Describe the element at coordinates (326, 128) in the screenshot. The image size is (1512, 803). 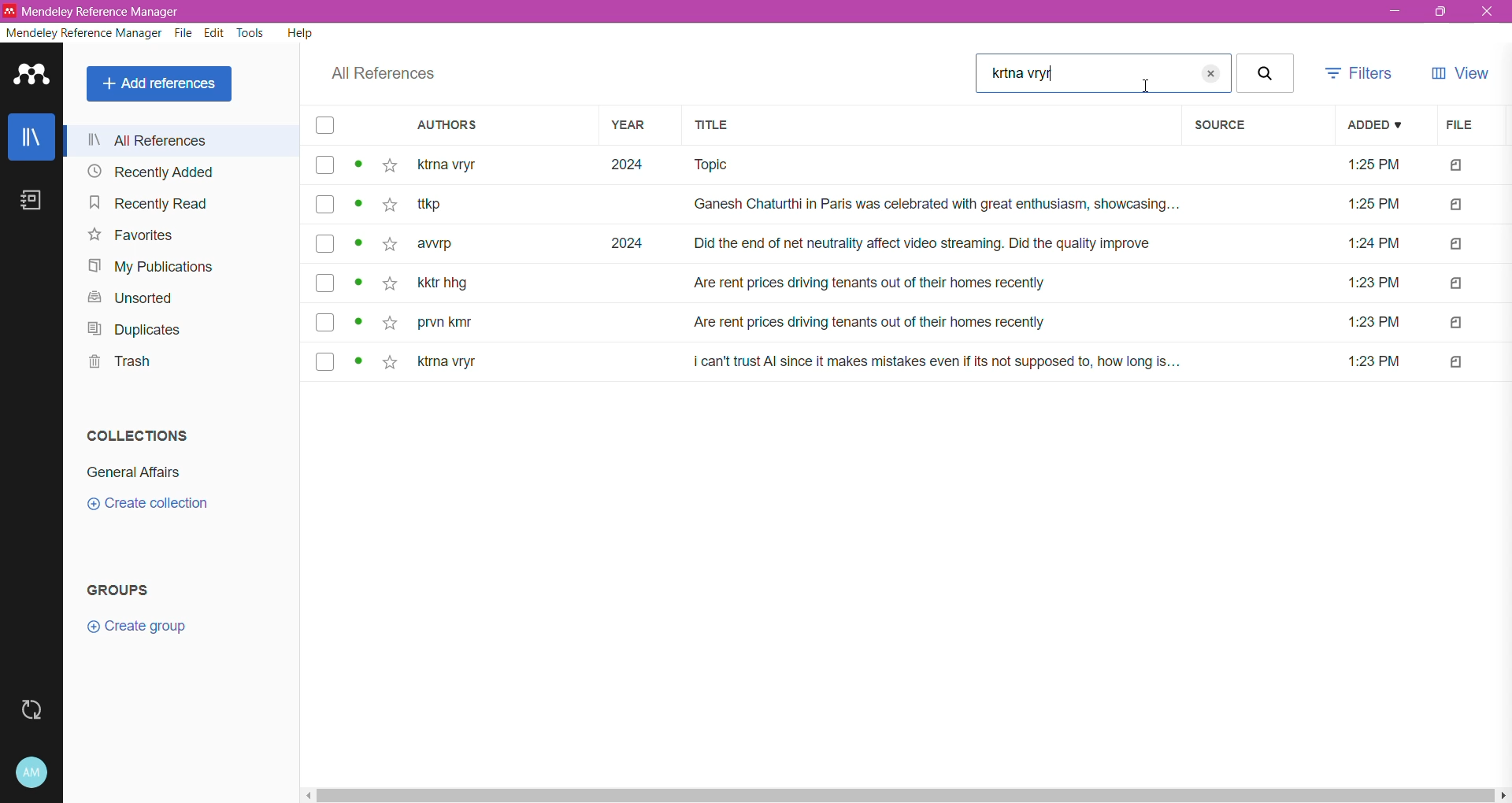
I see `select all` at that location.